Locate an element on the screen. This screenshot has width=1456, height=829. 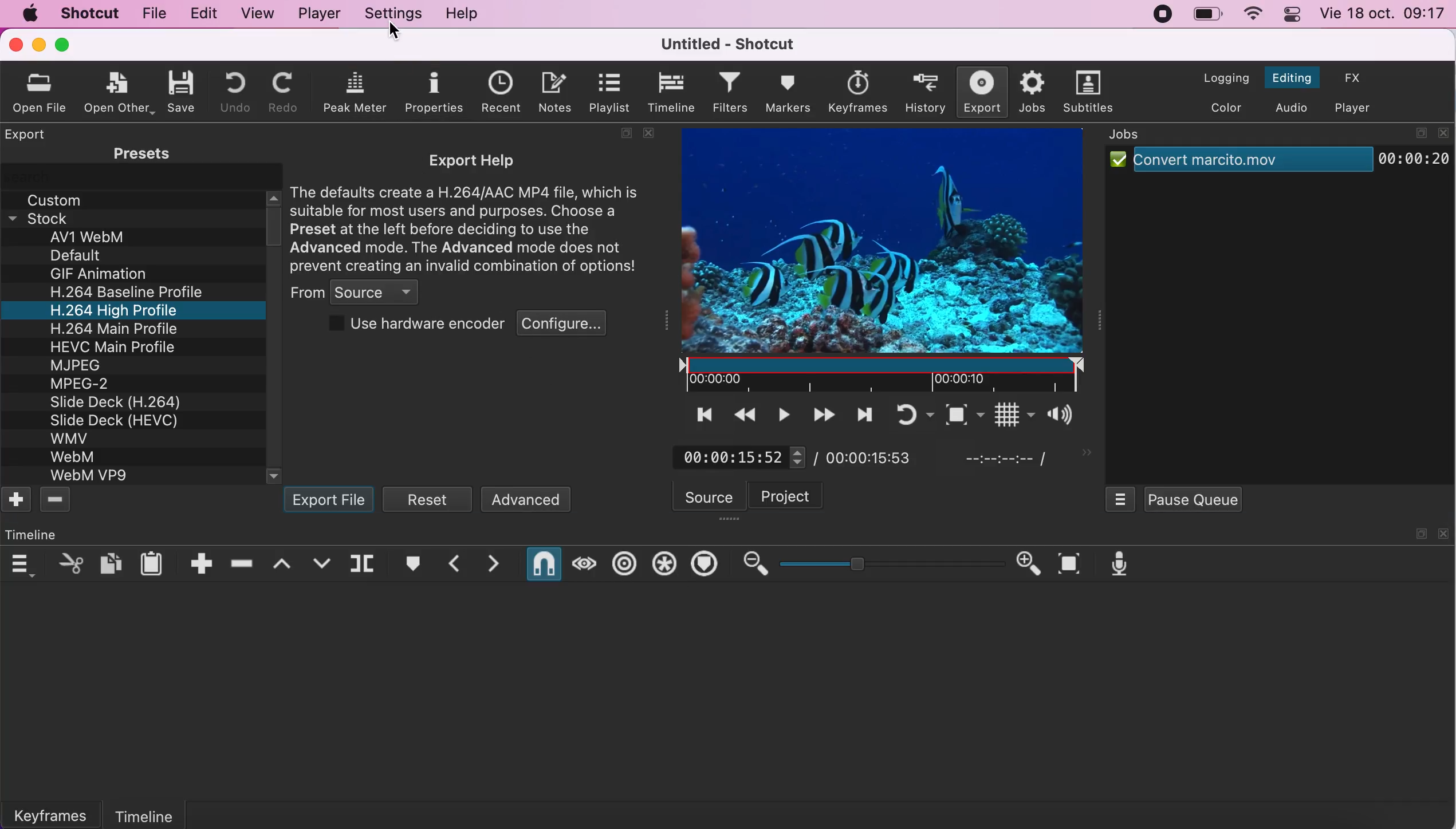
file is located at coordinates (152, 14).